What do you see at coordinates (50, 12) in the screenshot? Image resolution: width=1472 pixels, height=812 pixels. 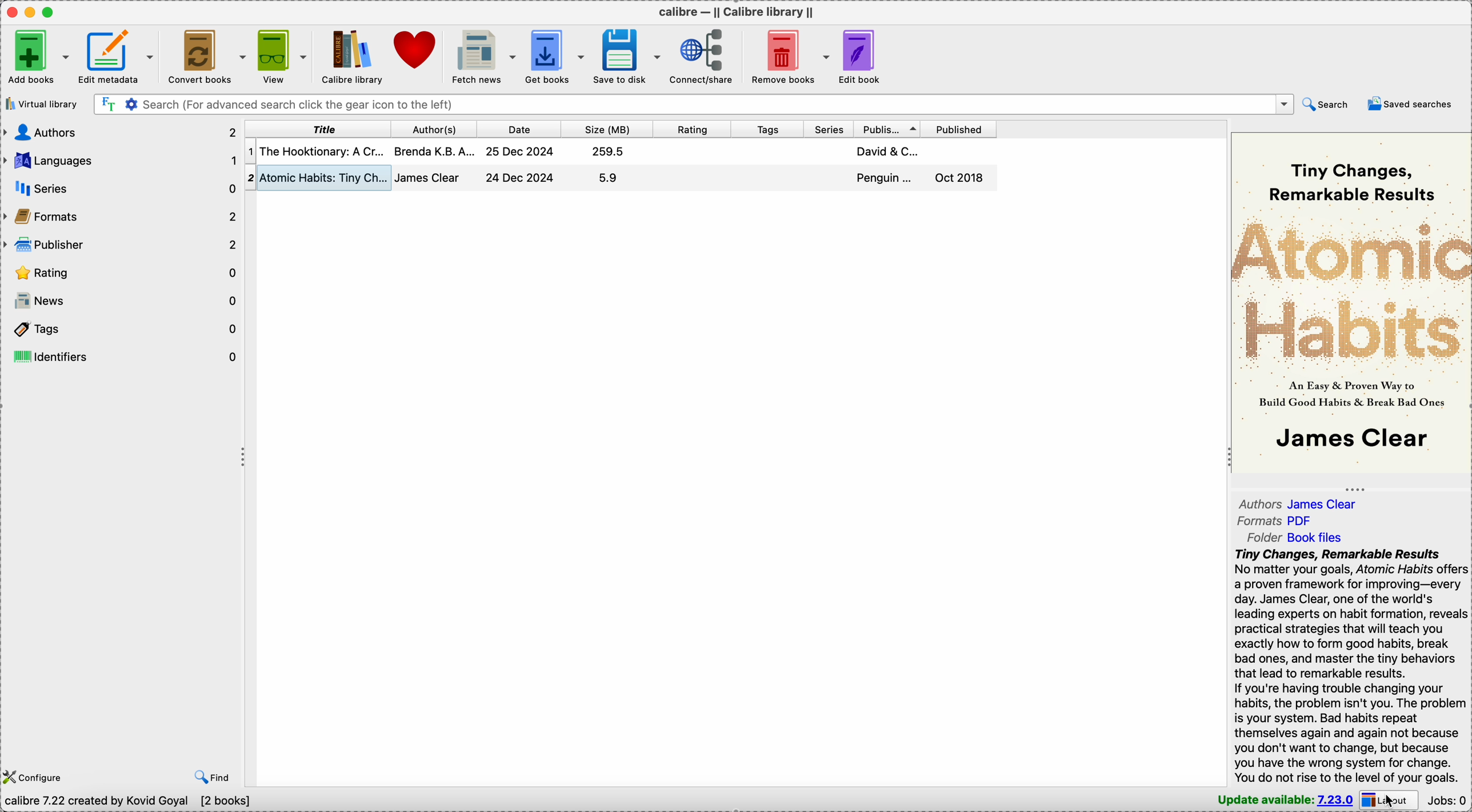 I see `maximize Calibre` at bounding box center [50, 12].